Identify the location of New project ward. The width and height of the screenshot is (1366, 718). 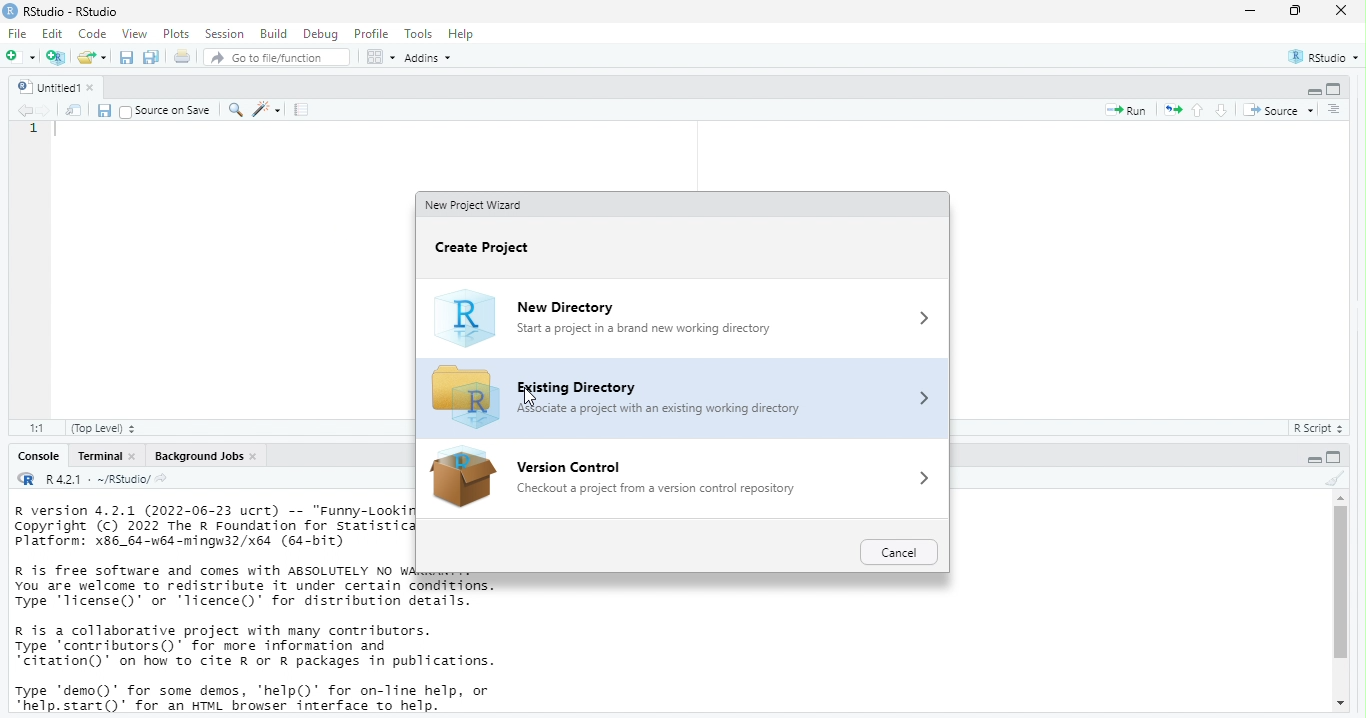
(469, 205).